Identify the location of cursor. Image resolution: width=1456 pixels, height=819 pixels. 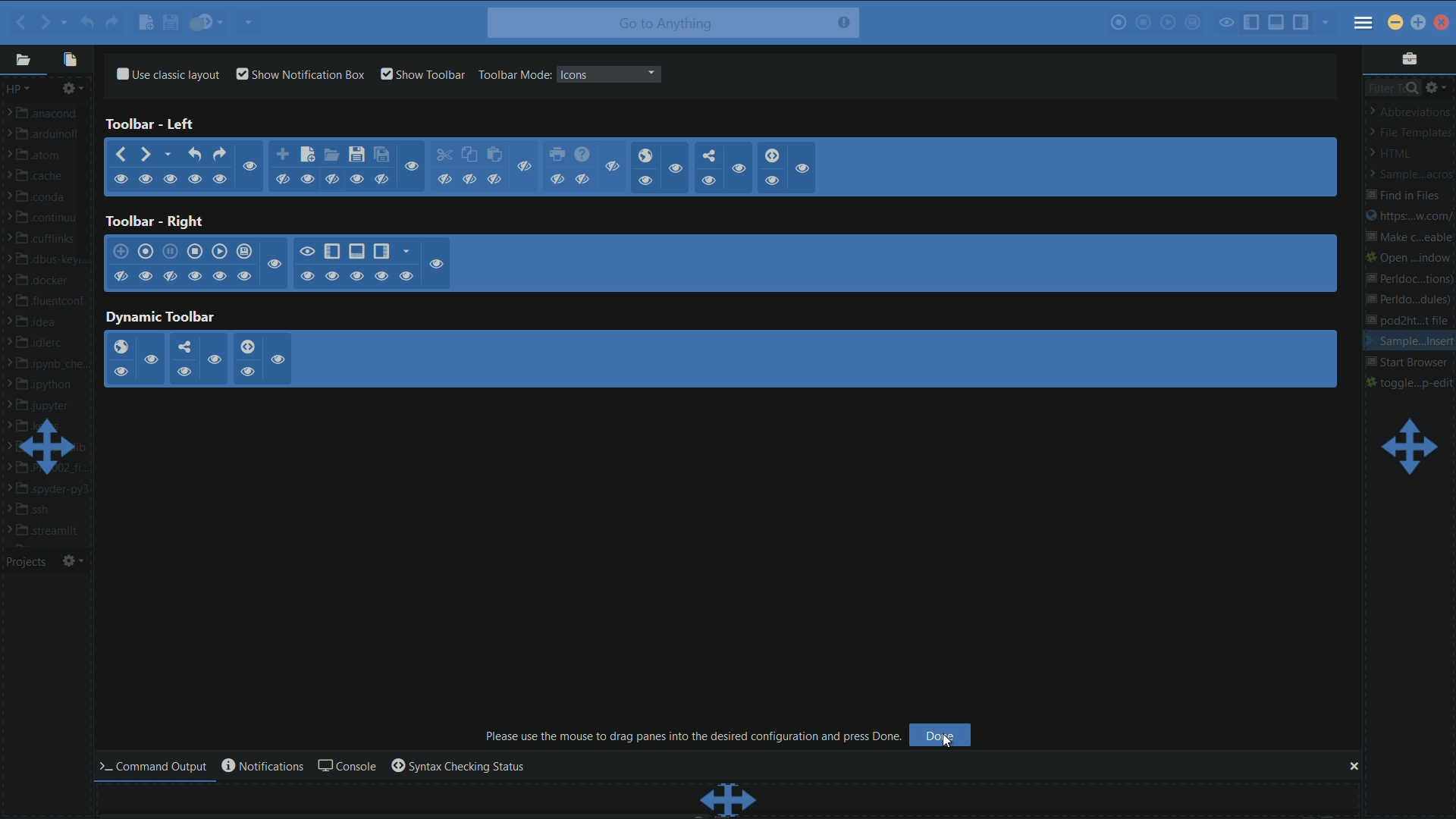
(954, 746).